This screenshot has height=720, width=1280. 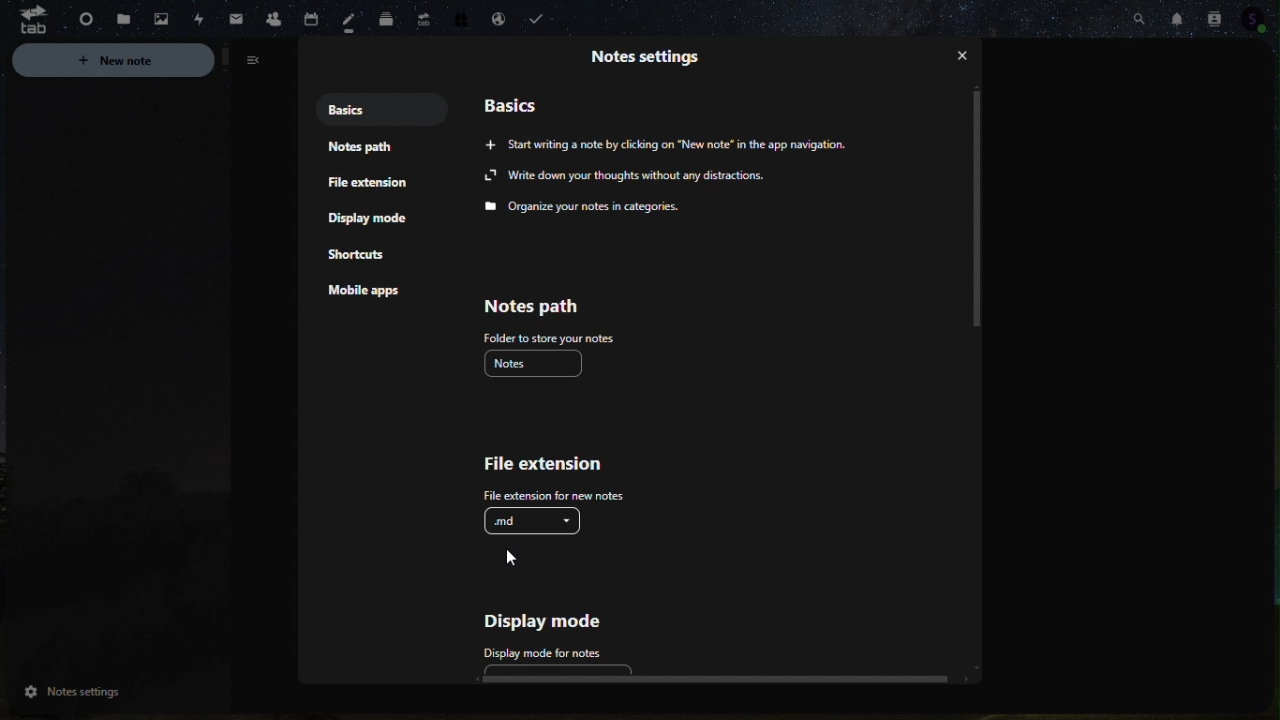 What do you see at coordinates (78, 18) in the screenshot?
I see `Dashboard` at bounding box center [78, 18].